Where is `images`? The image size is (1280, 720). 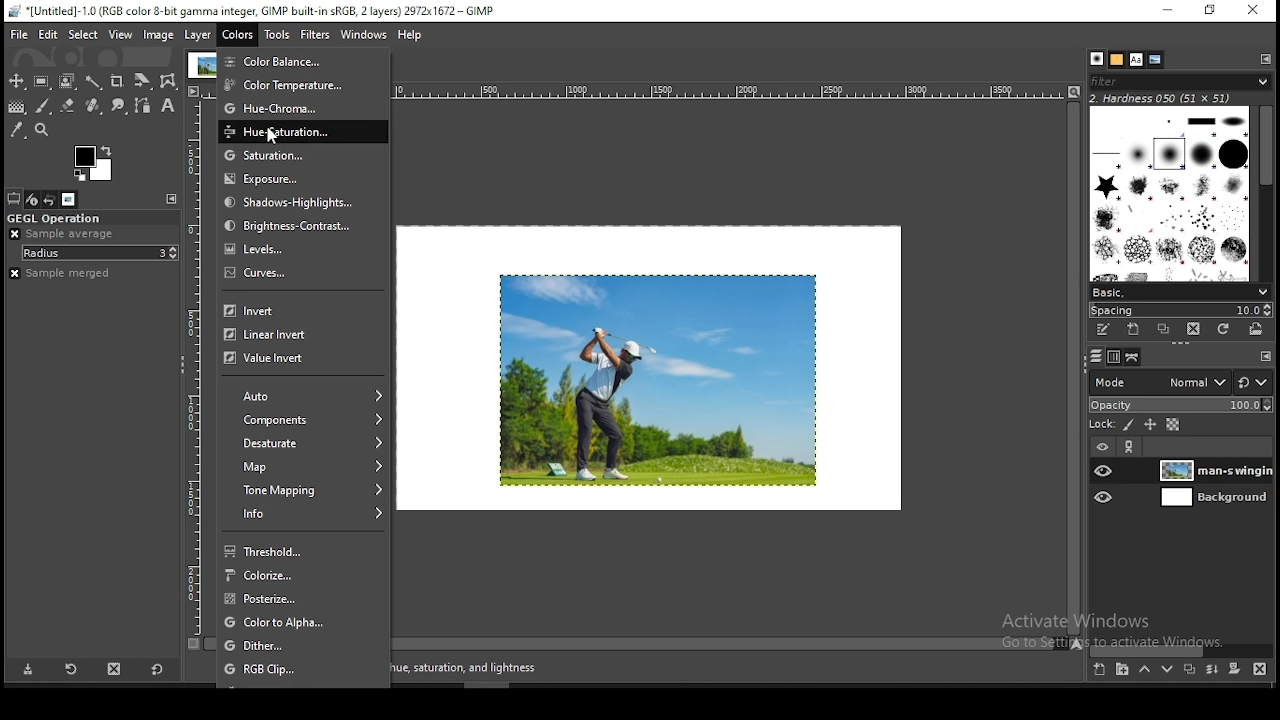 images is located at coordinates (68, 200).